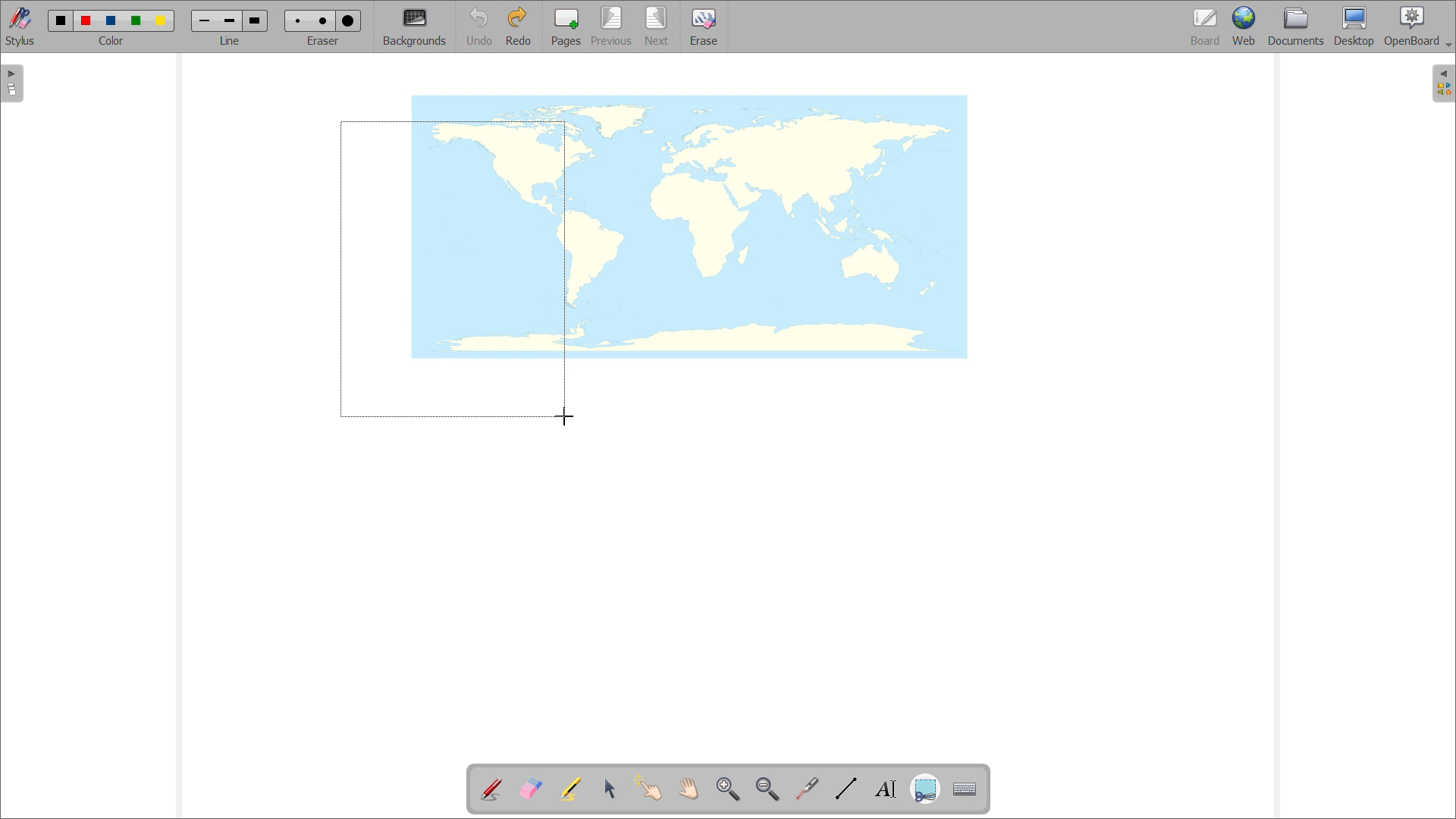 This screenshot has height=819, width=1456. What do you see at coordinates (453, 268) in the screenshot?
I see `area for screen capture` at bounding box center [453, 268].